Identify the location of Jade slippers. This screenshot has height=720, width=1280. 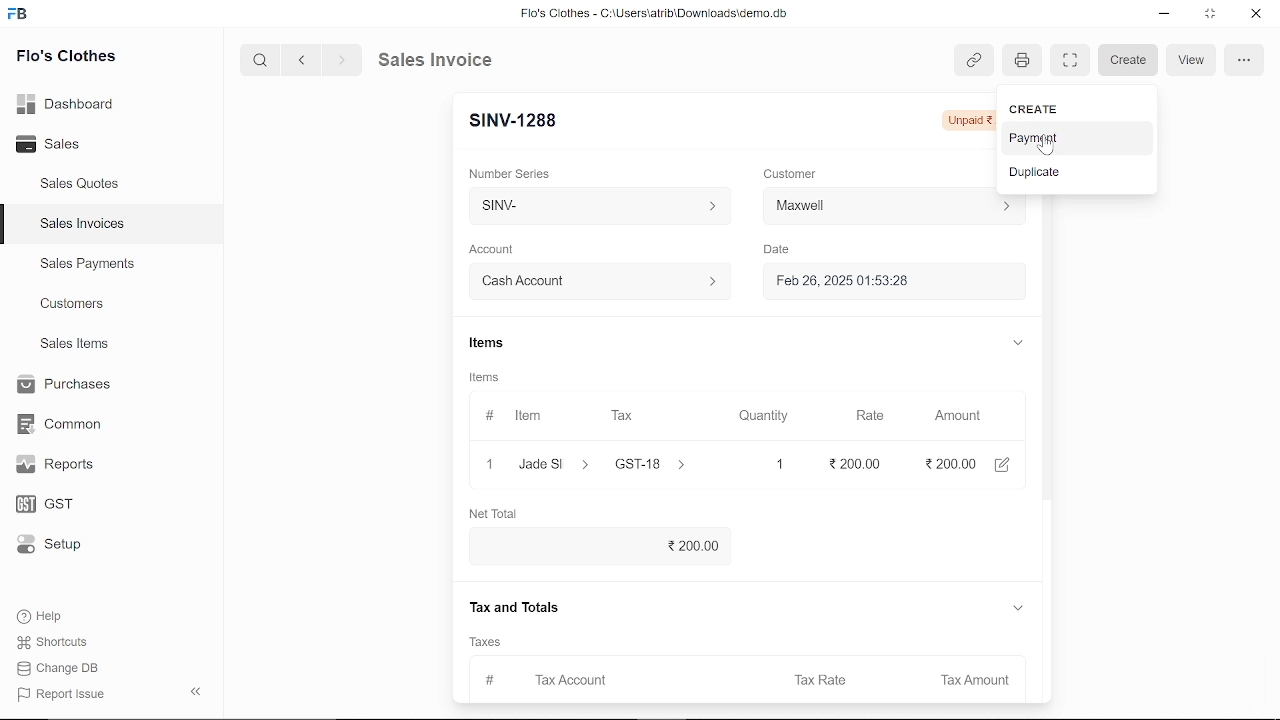
(555, 464).